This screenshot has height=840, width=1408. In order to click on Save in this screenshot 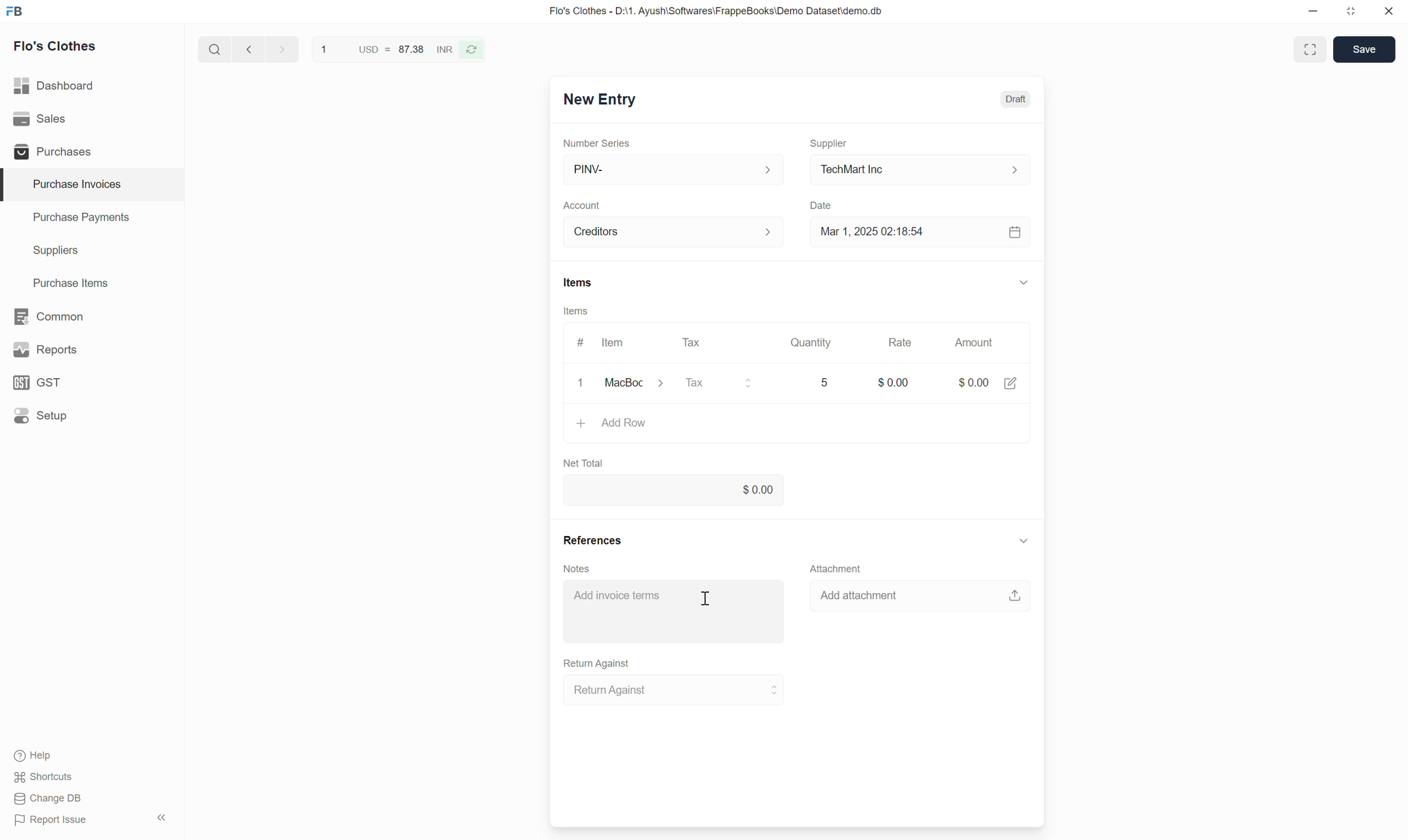, I will do `click(1364, 49)`.